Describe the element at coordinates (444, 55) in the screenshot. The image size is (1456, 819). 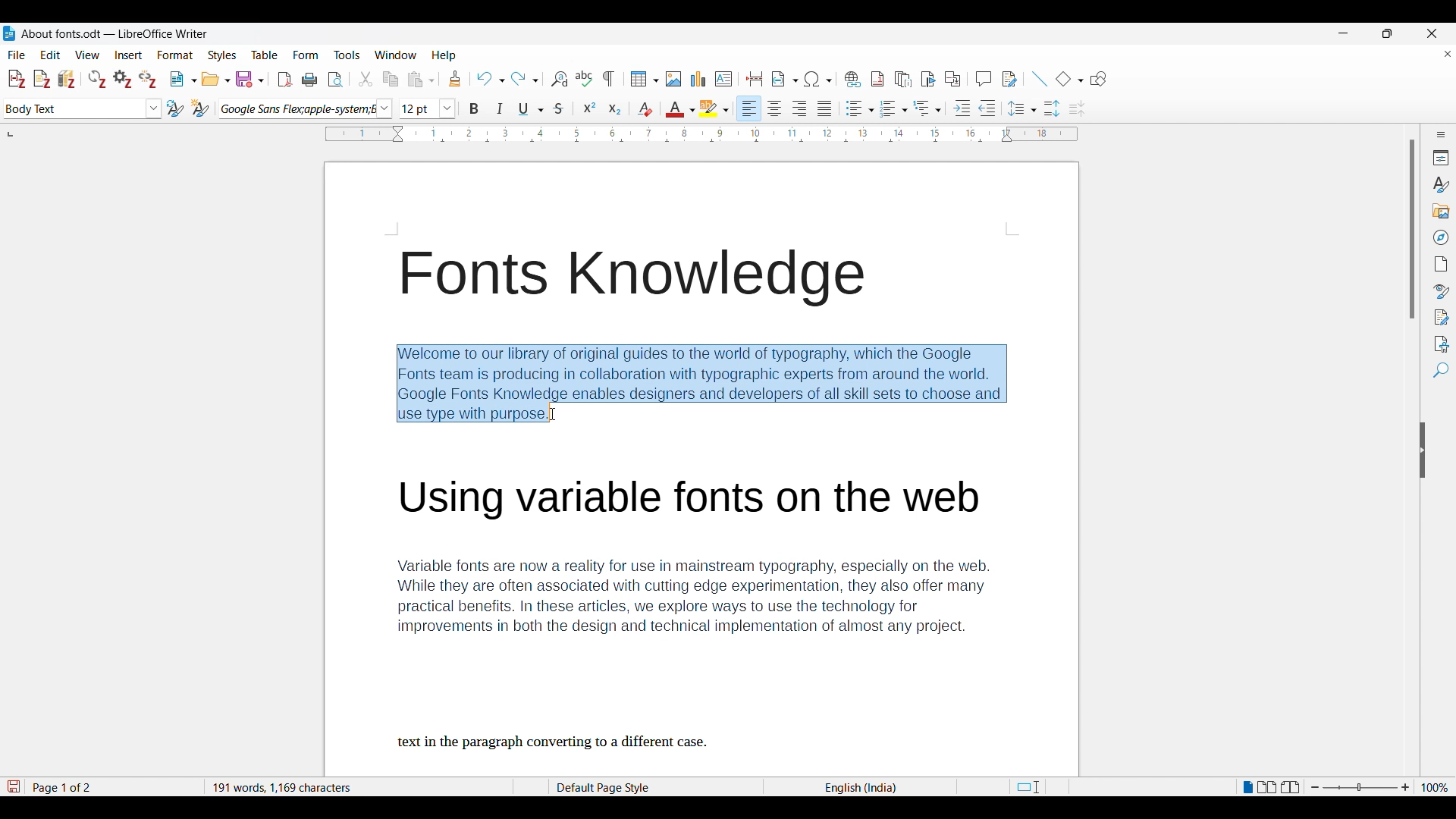
I see `Help menu` at that location.